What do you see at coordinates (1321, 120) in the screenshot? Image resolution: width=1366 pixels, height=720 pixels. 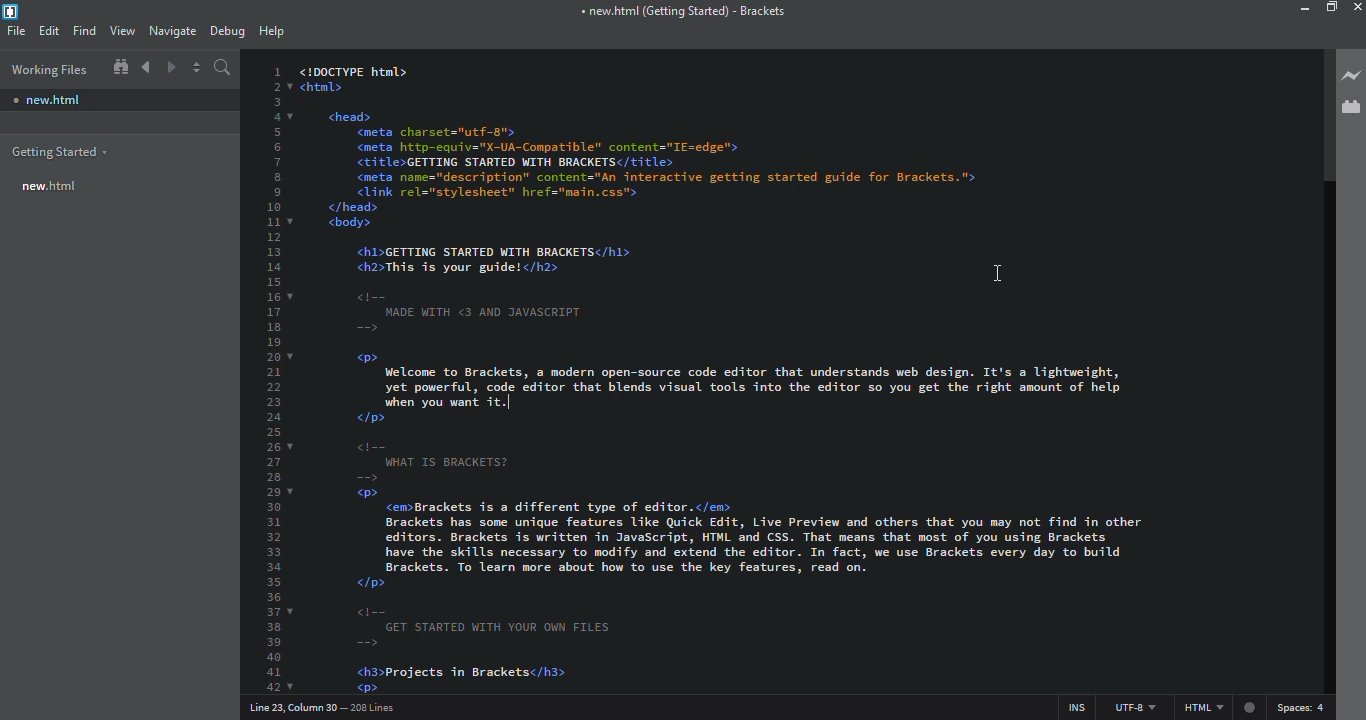 I see `scroll bar` at bounding box center [1321, 120].